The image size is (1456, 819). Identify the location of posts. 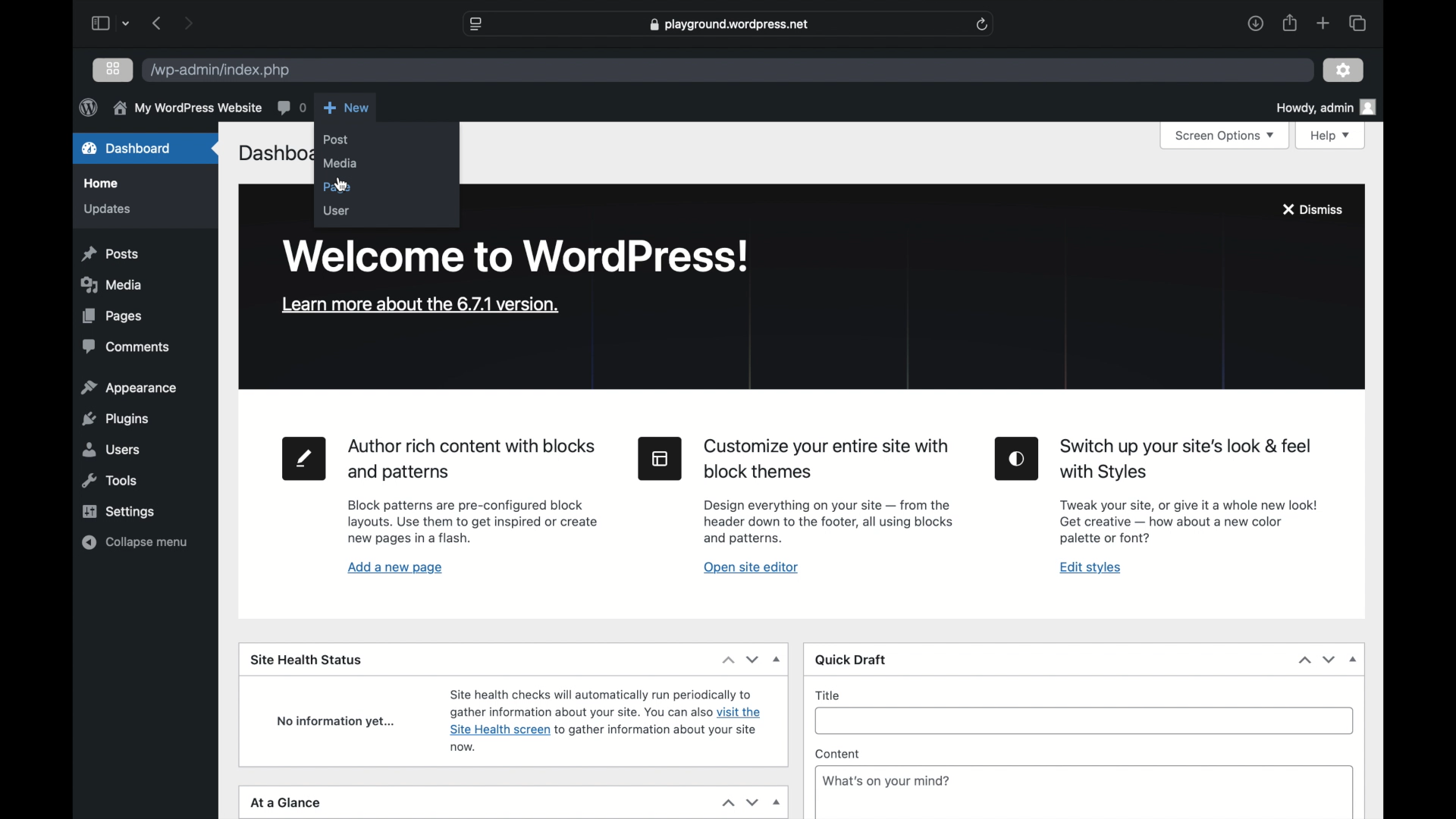
(110, 255).